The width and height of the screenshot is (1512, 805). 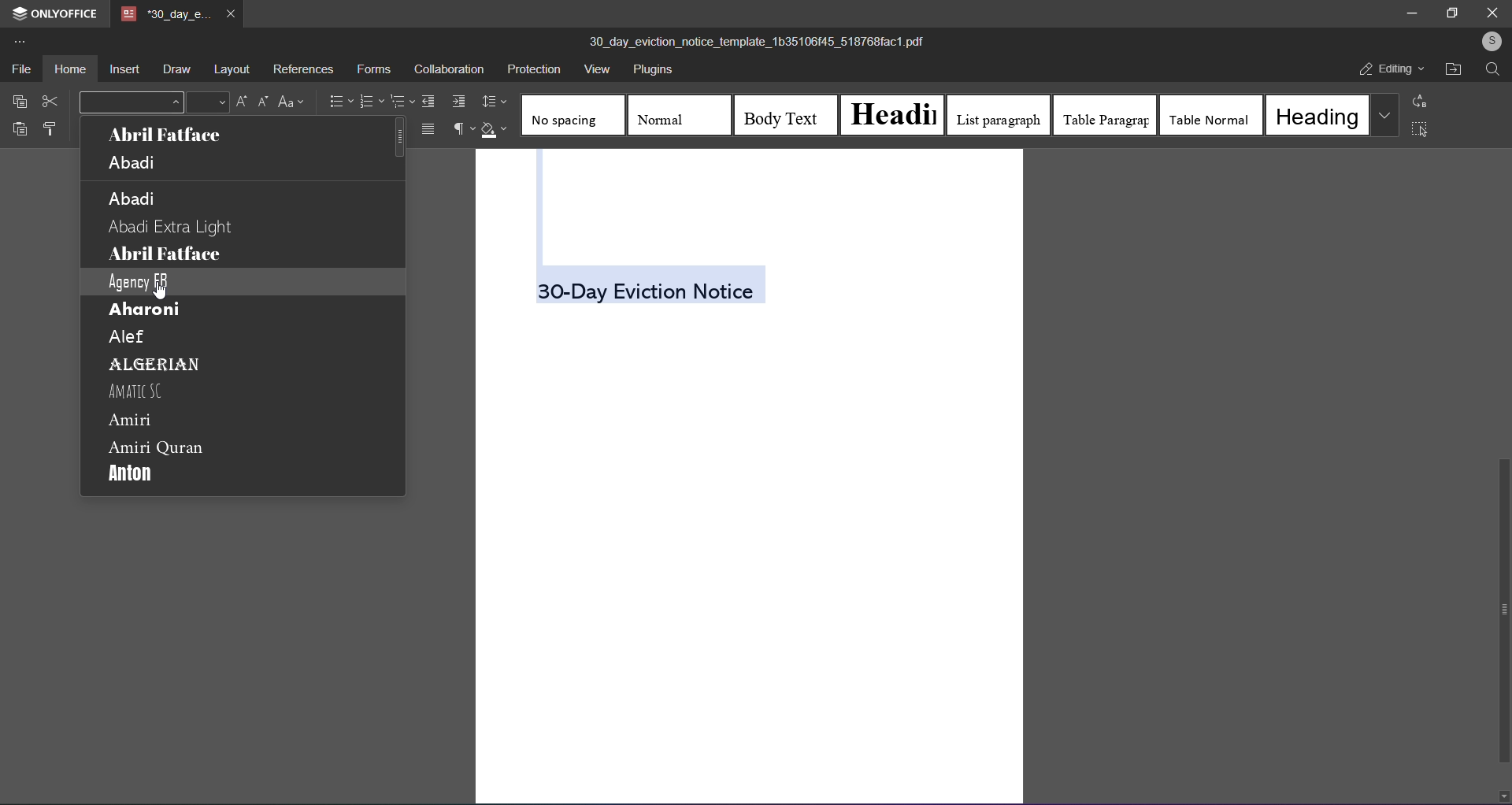 I want to click on decrease indent, so click(x=428, y=101).